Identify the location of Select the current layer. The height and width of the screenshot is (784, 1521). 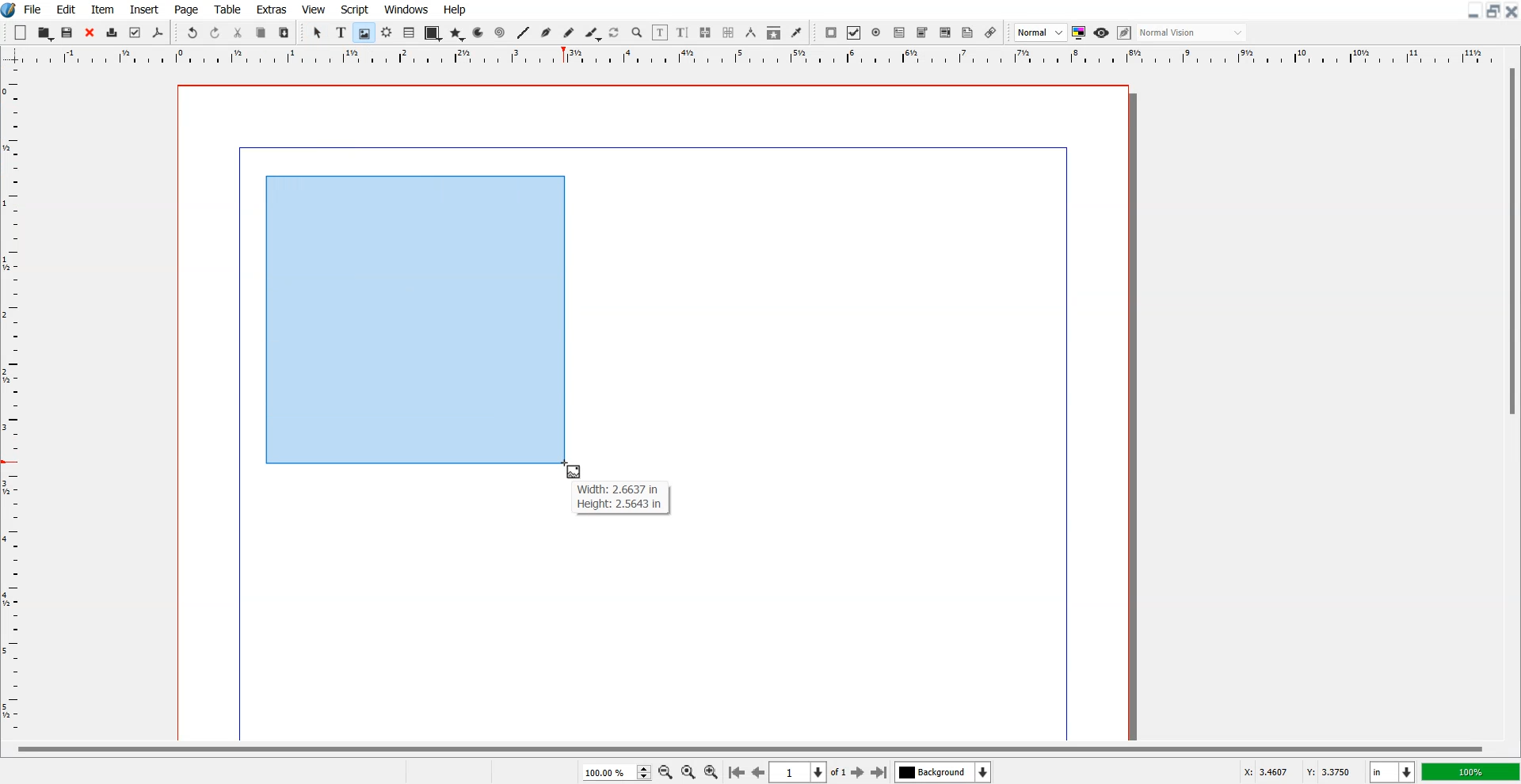
(943, 771).